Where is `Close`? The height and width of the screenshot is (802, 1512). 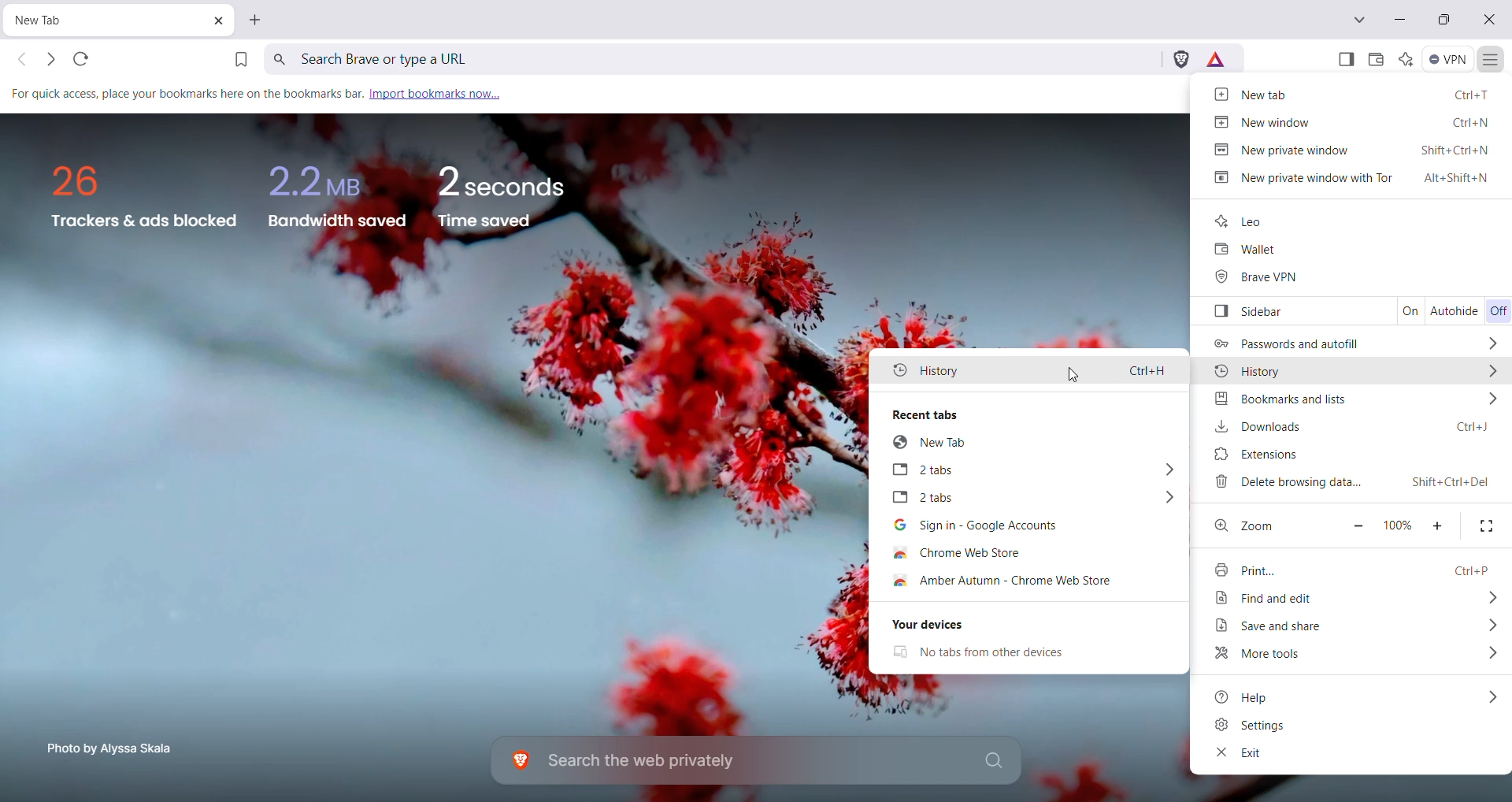
Close is located at coordinates (1491, 21).